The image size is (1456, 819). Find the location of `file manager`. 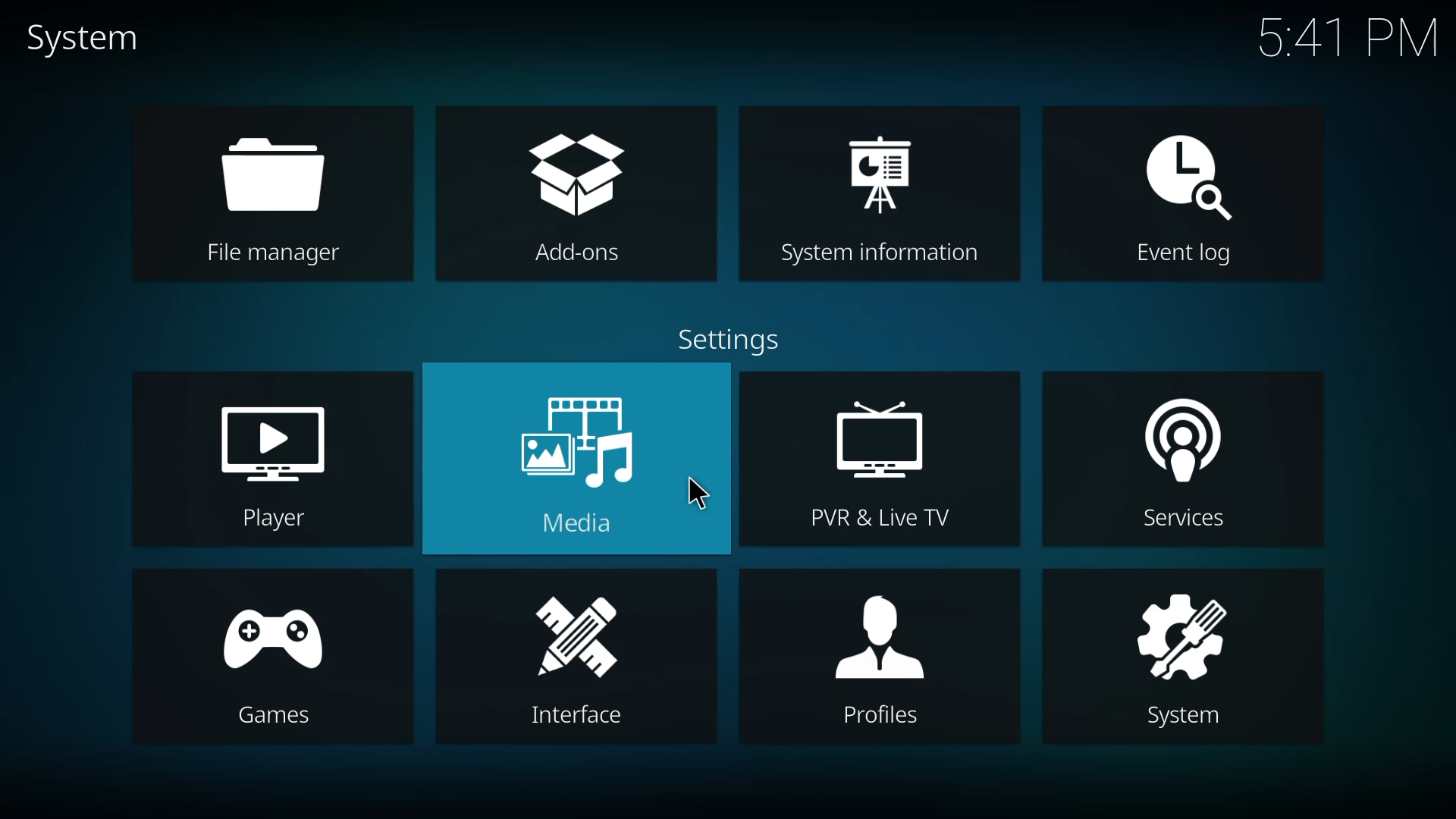

file manager is located at coordinates (276, 196).